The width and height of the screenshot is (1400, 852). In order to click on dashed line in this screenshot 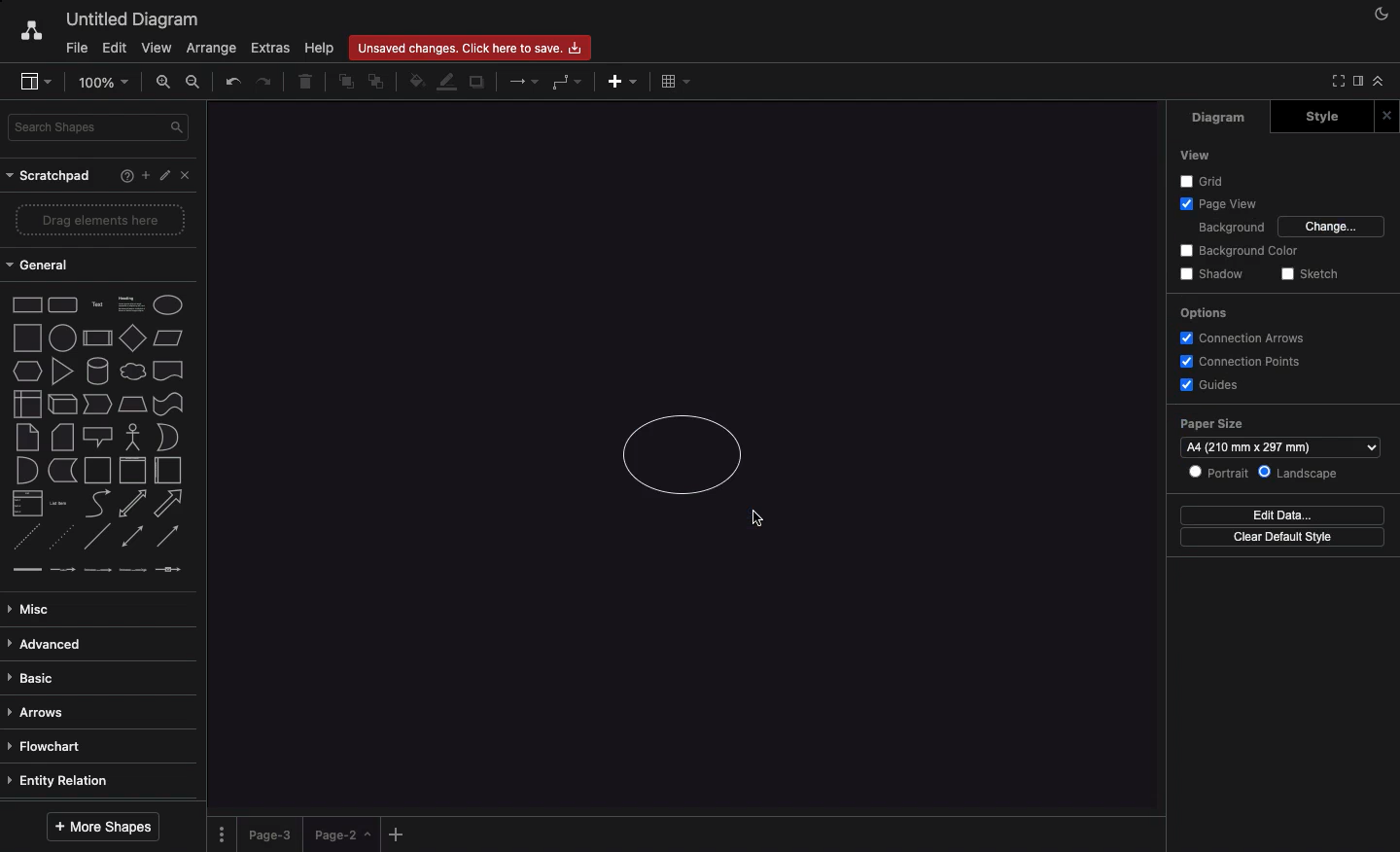, I will do `click(25, 537)`.